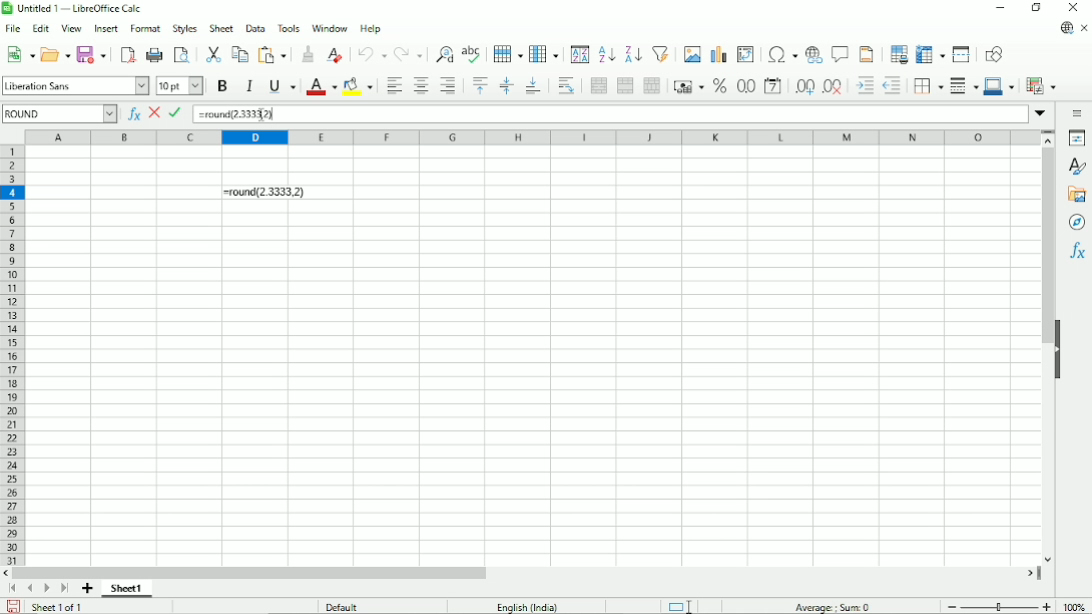 This screenshot has height=614, width=1092. I want to click on Column, so click(545, 53).